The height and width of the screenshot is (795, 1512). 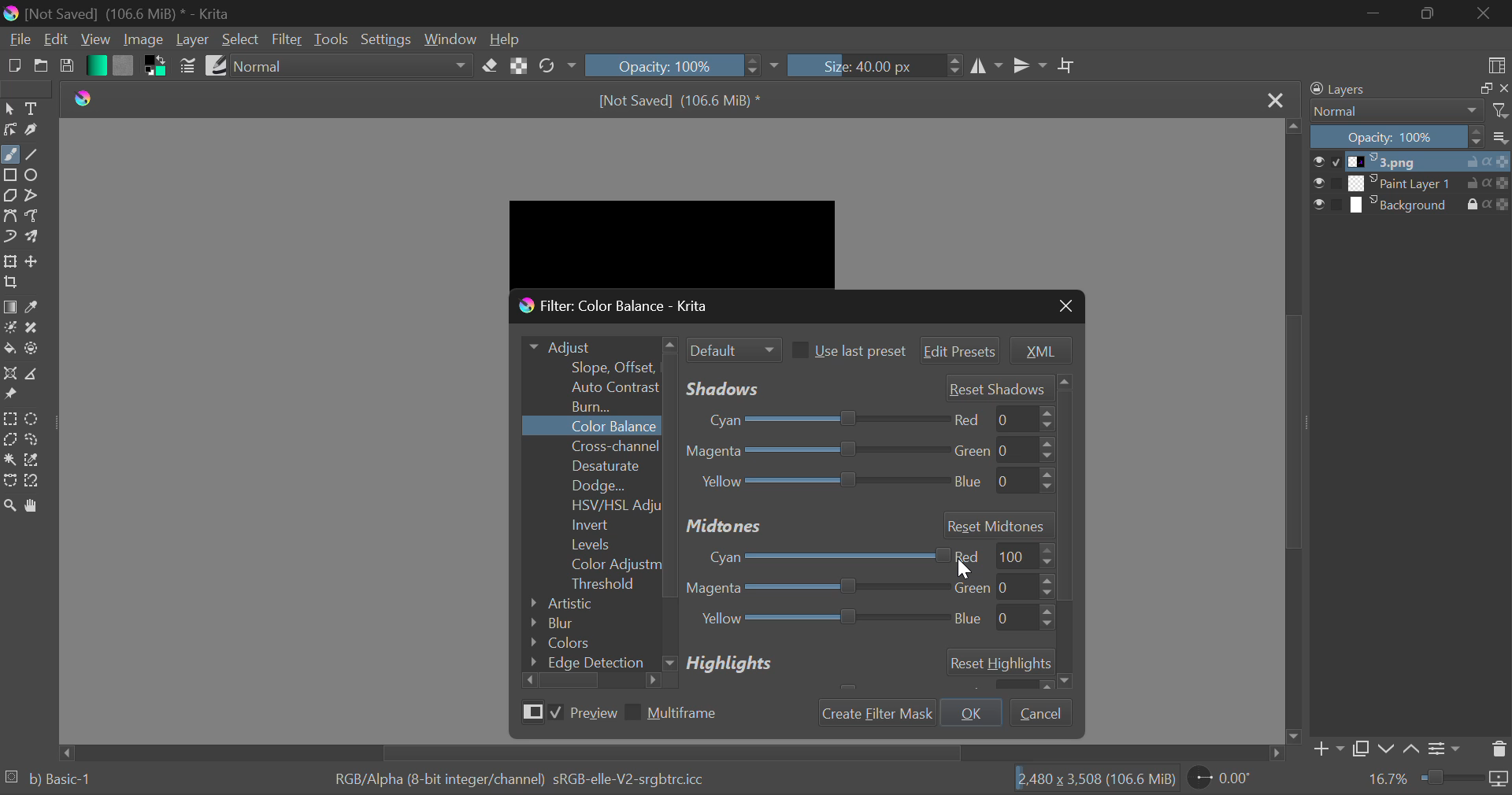 I want to click on Cancel, so click(x=1039, y=711).